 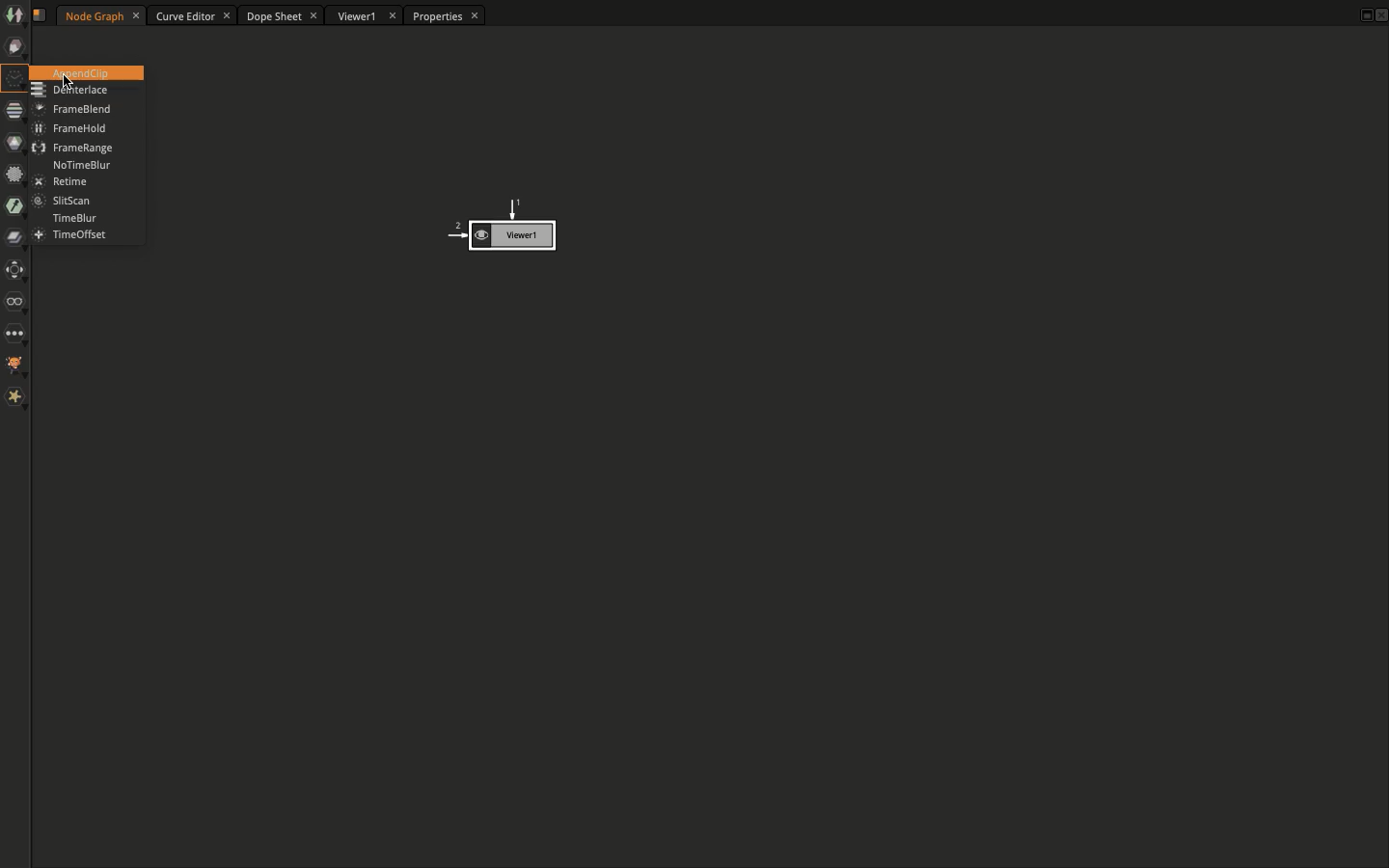 I want to click on TimeBlur, so click(x=74, y=219).